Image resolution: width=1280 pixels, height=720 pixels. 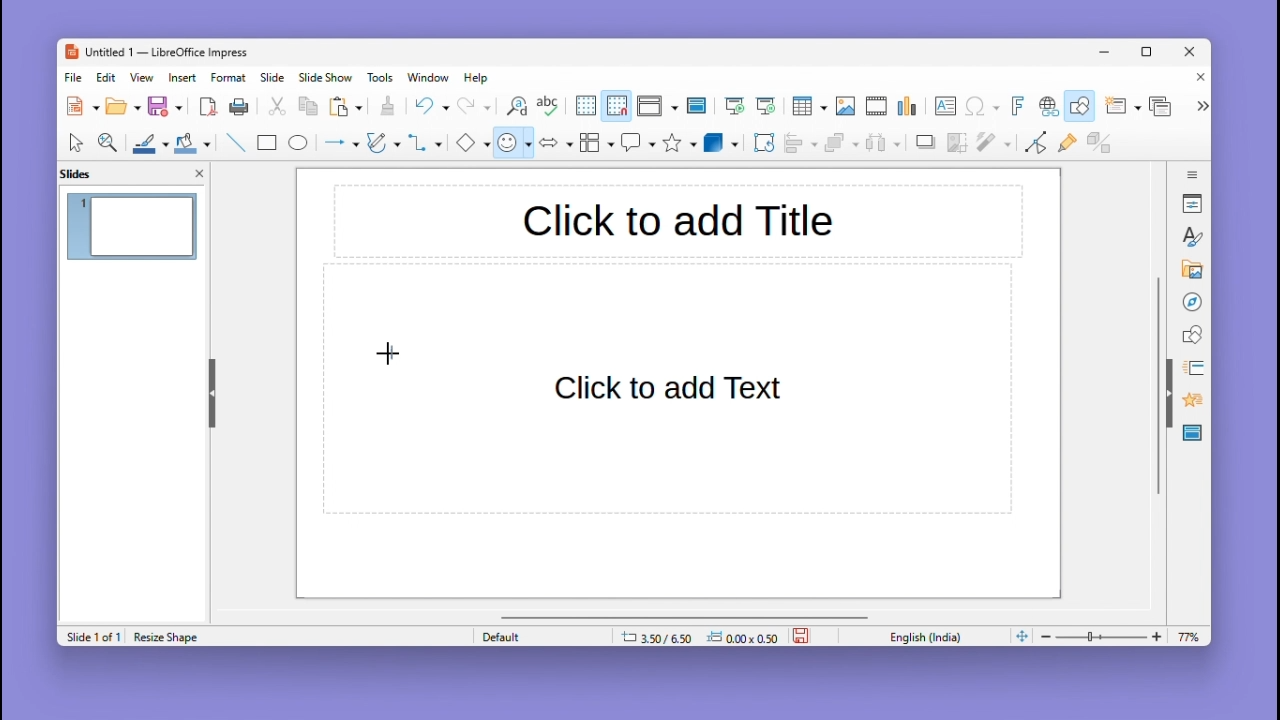 What do you see at coordinates (1196, 79) in the screenshot?
I see `Close` at bounding box center [1196, 79].